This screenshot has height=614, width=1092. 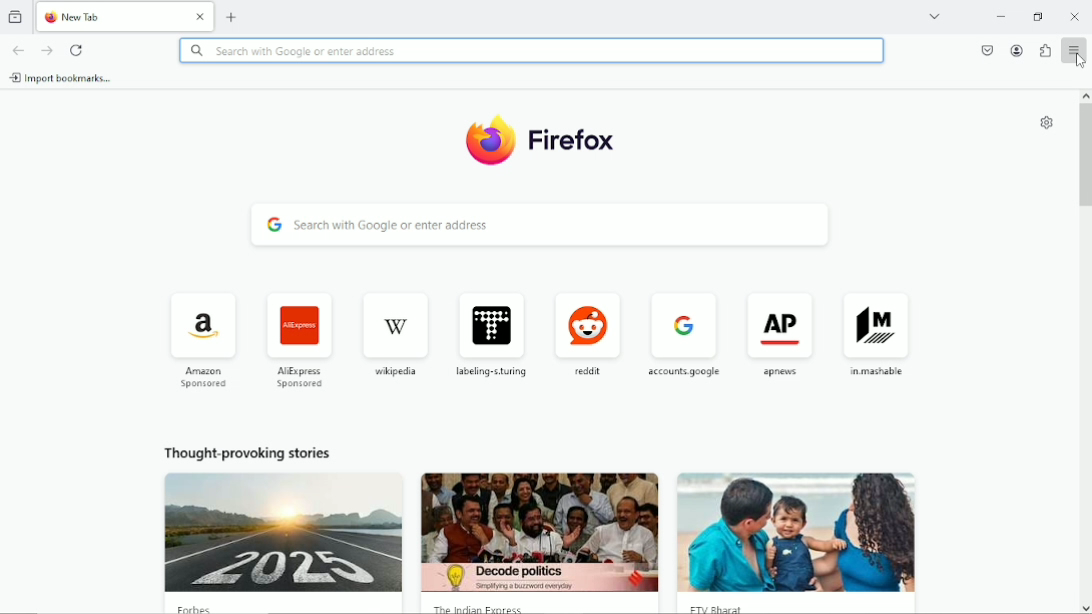 I want to click on thought provoking stories, so click(x=258, y=449).